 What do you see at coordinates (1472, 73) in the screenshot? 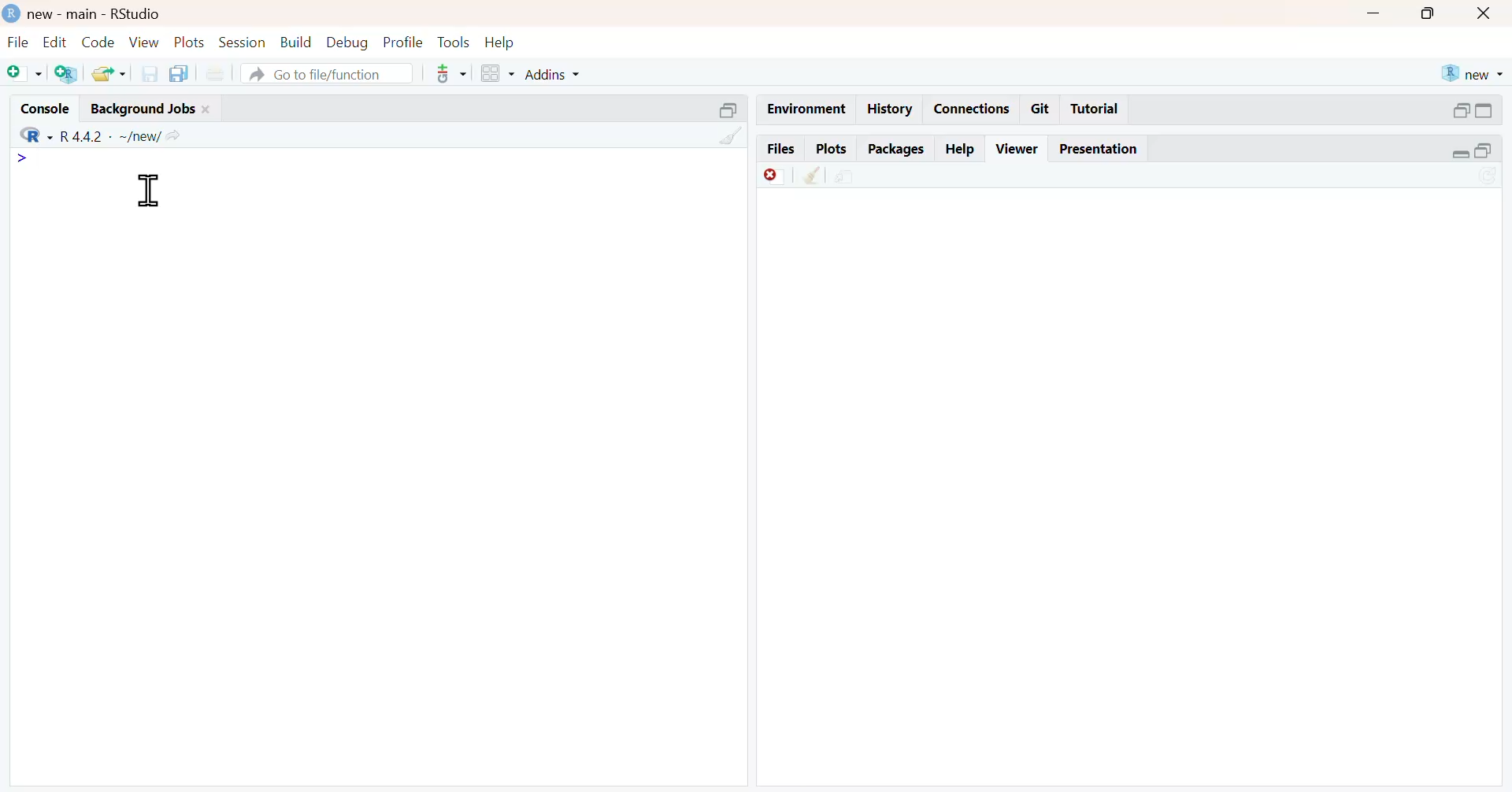
I see `new` at bounding box center [1472, 73].